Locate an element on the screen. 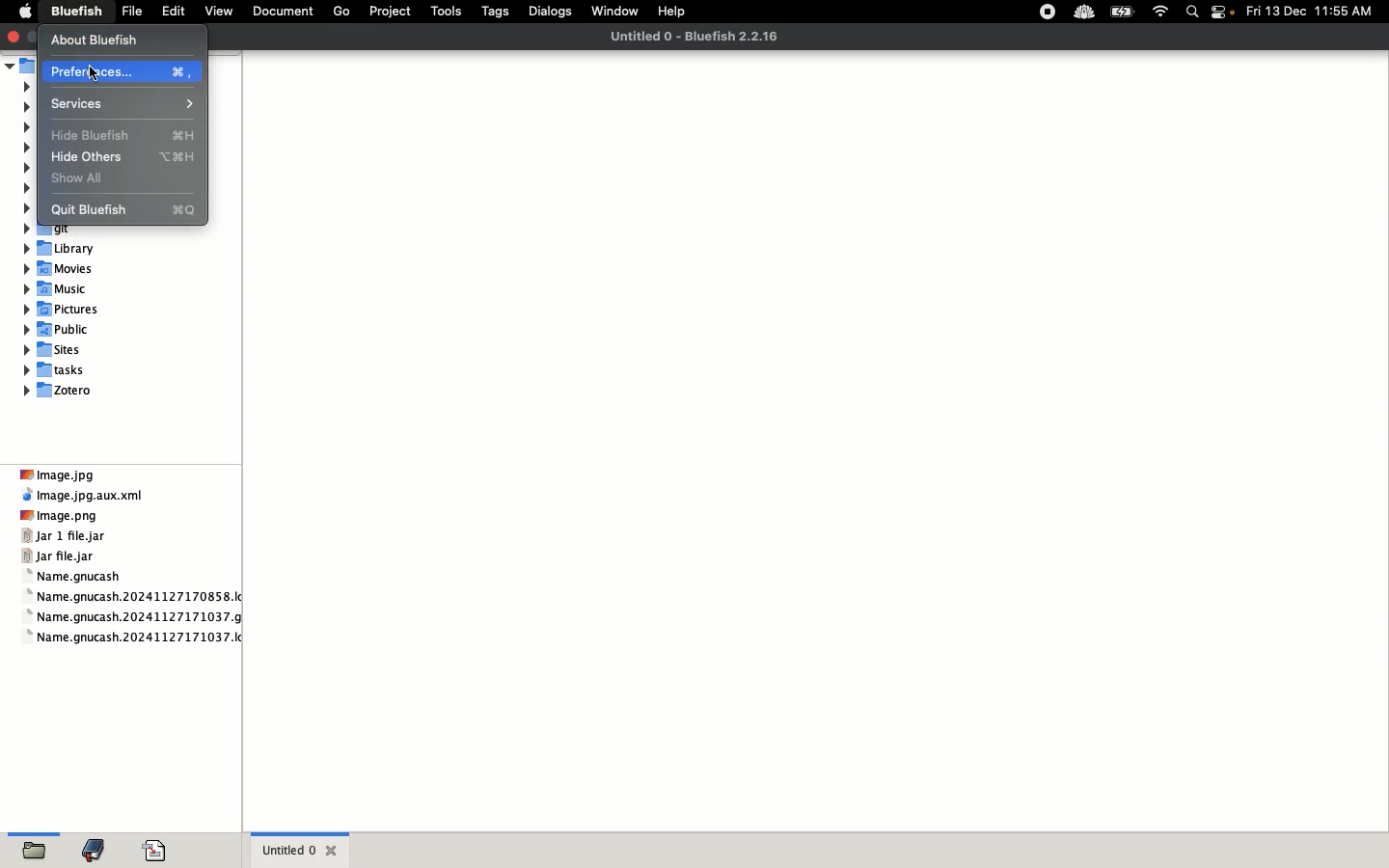 This screenshot has width=1389, height=868. files is located at coordinates (134, 554).